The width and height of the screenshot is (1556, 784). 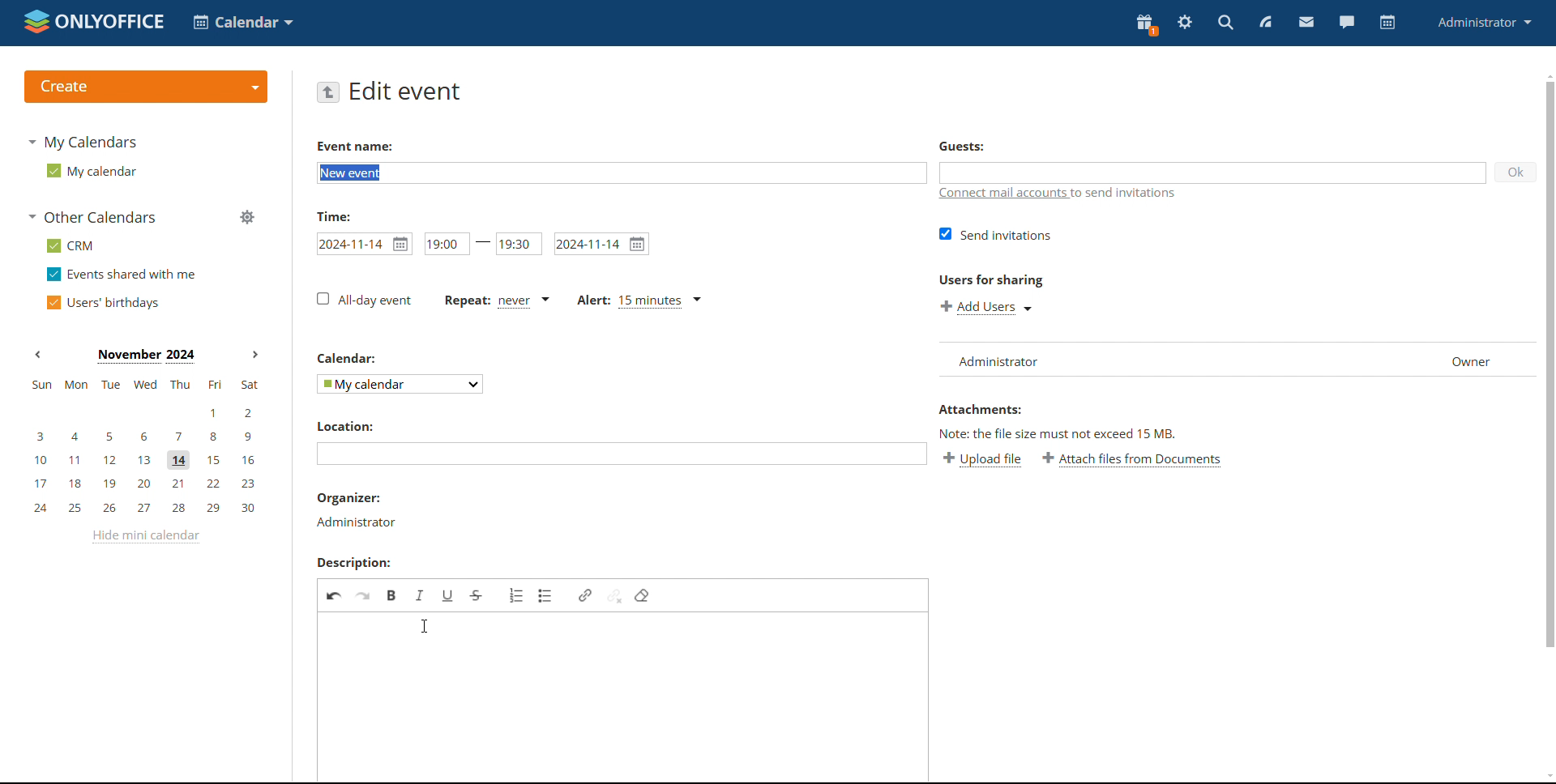 What do you see at coordinates (253, 355) in the screenshot?
I see `next months` at bounding box center [253, 355].